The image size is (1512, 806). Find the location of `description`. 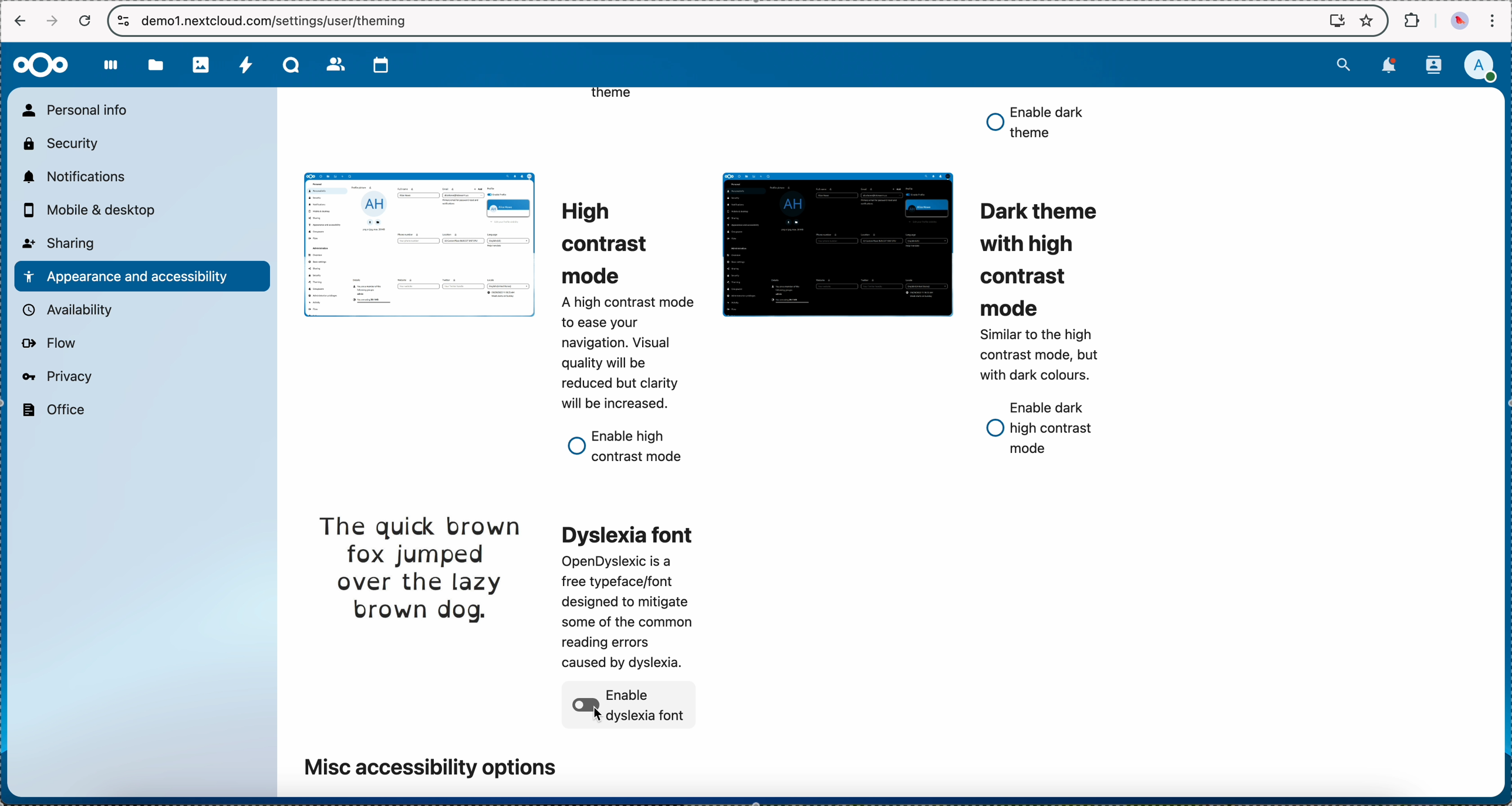

description is located at coordinates (626, 353).